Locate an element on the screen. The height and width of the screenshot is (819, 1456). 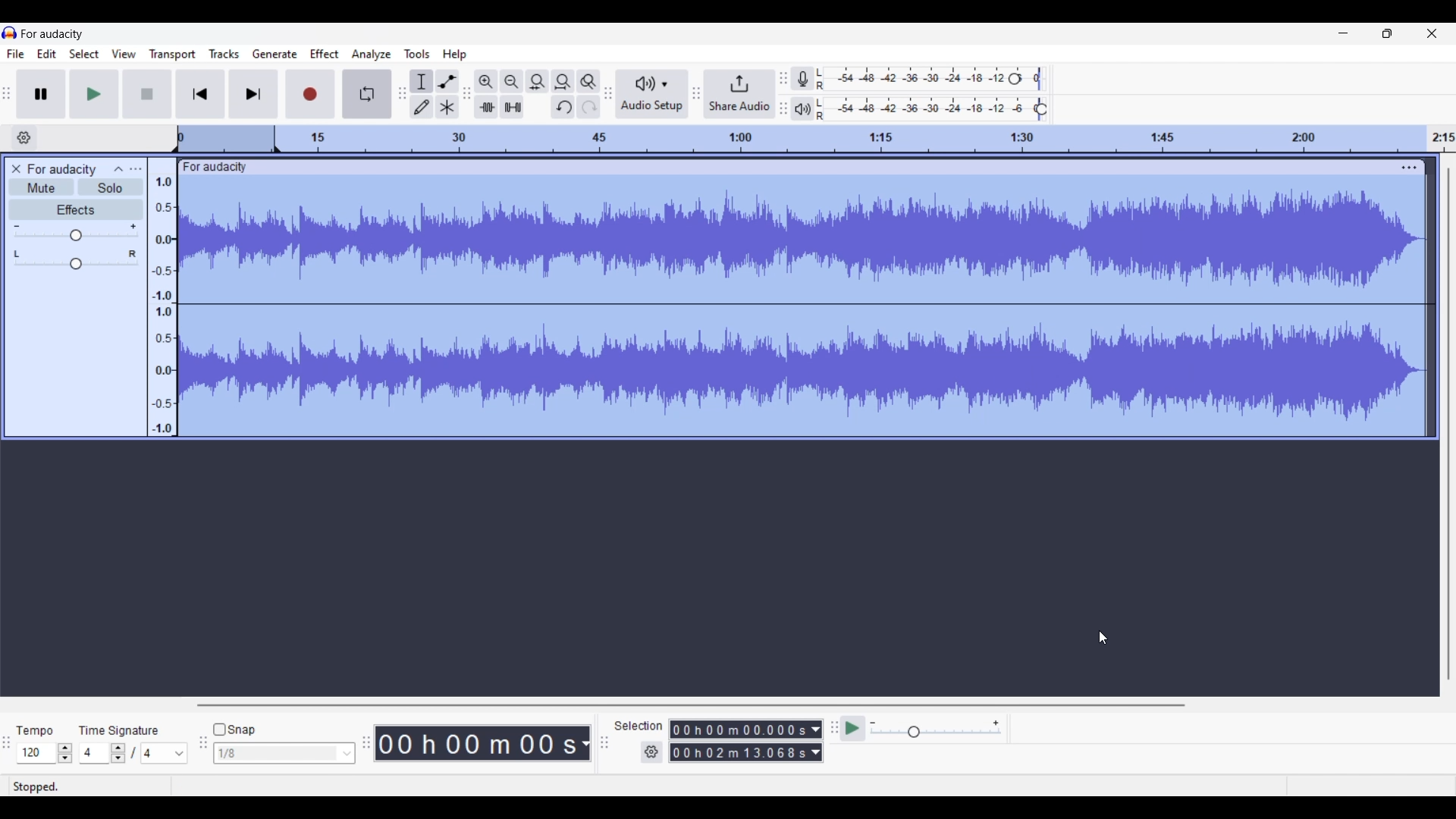
Effect menu is located at coordinates (325, 55).